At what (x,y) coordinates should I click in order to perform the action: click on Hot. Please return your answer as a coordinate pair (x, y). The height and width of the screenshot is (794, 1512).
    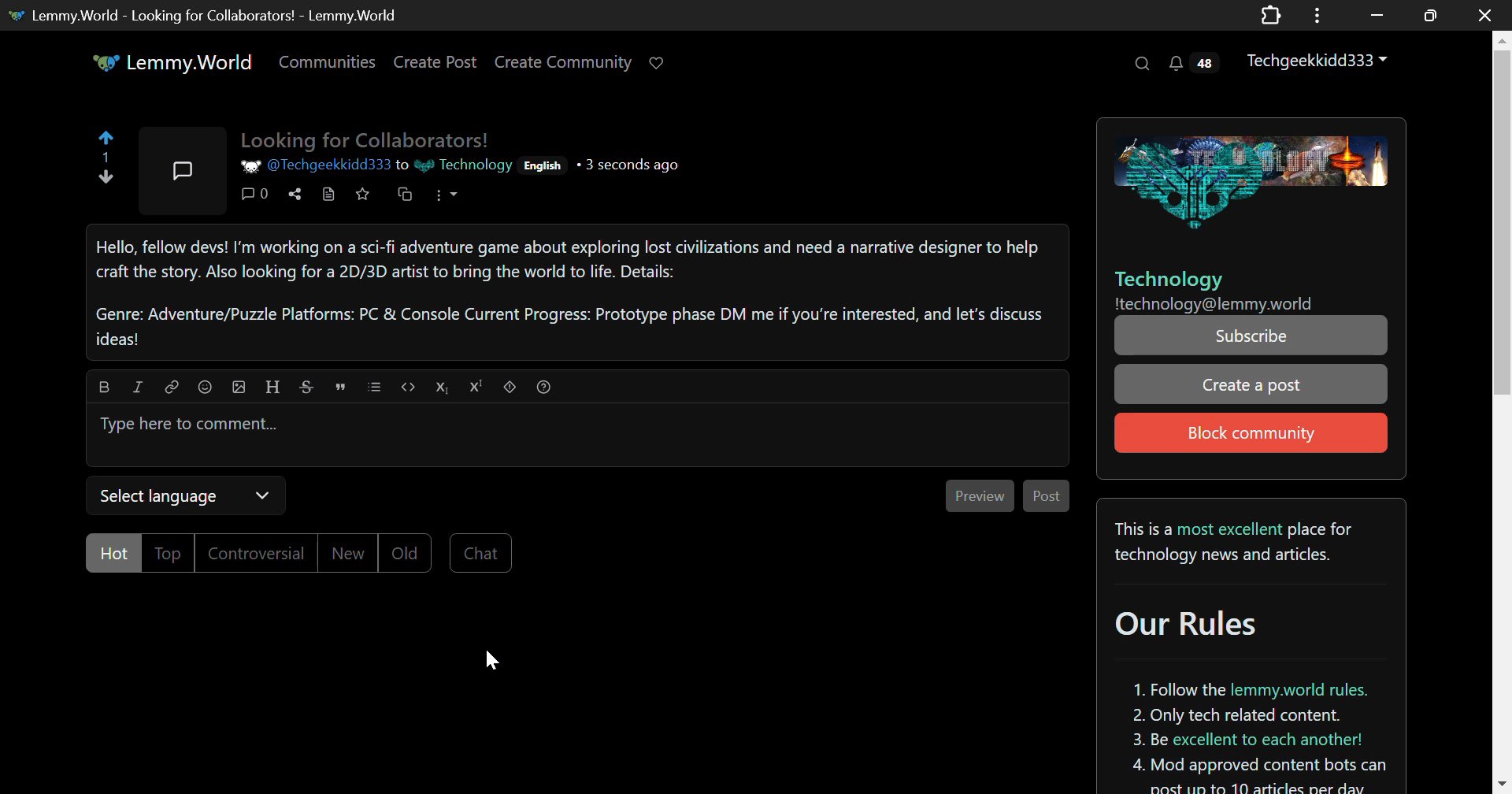
    Looking at the image, I should click on (112, 554).